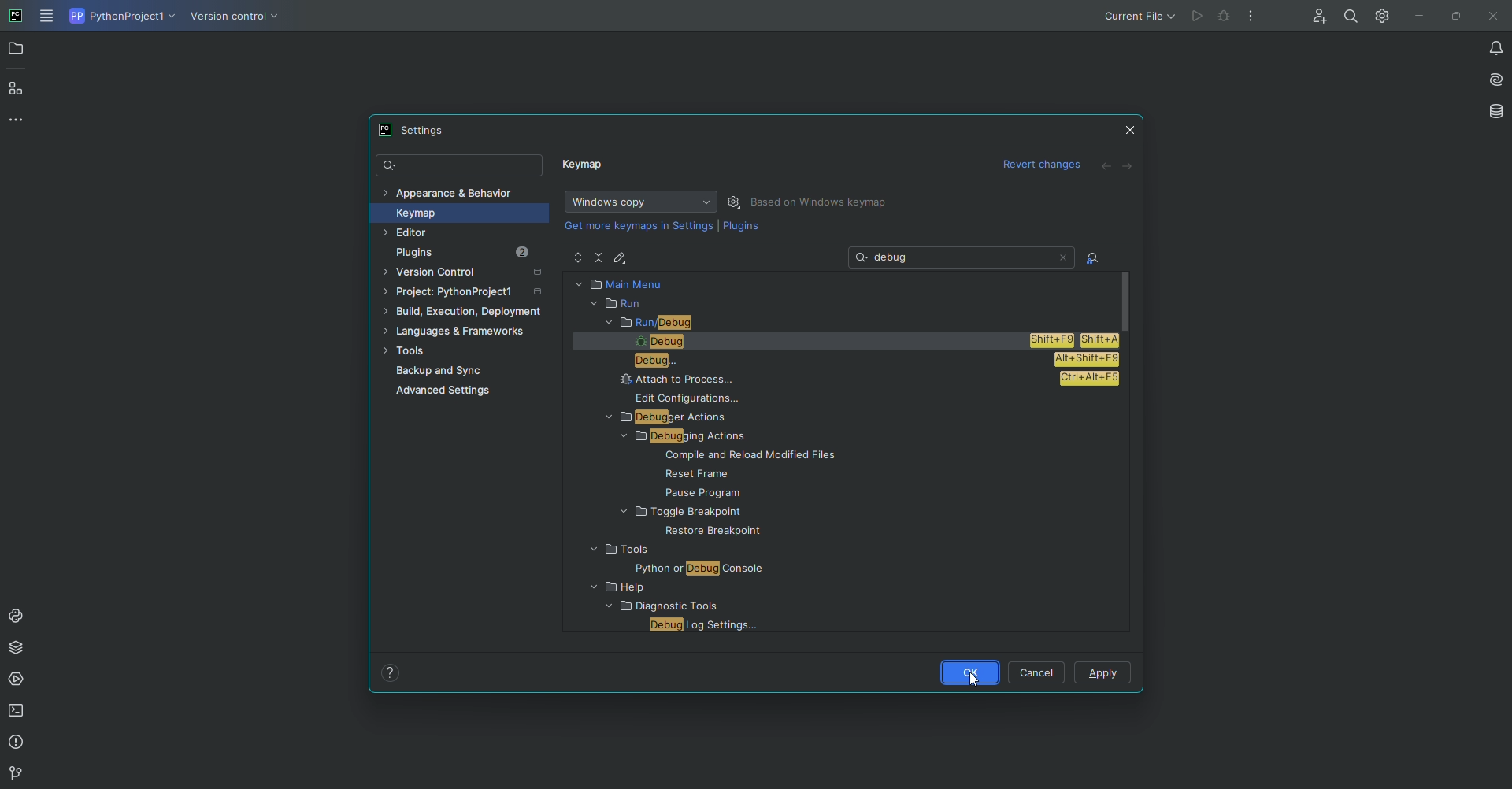 This screenshot has height=789, width=1512. Describe the element at coordinates (822, 202) in the screenshot. I see `Based on Windows Keymap` at that location.